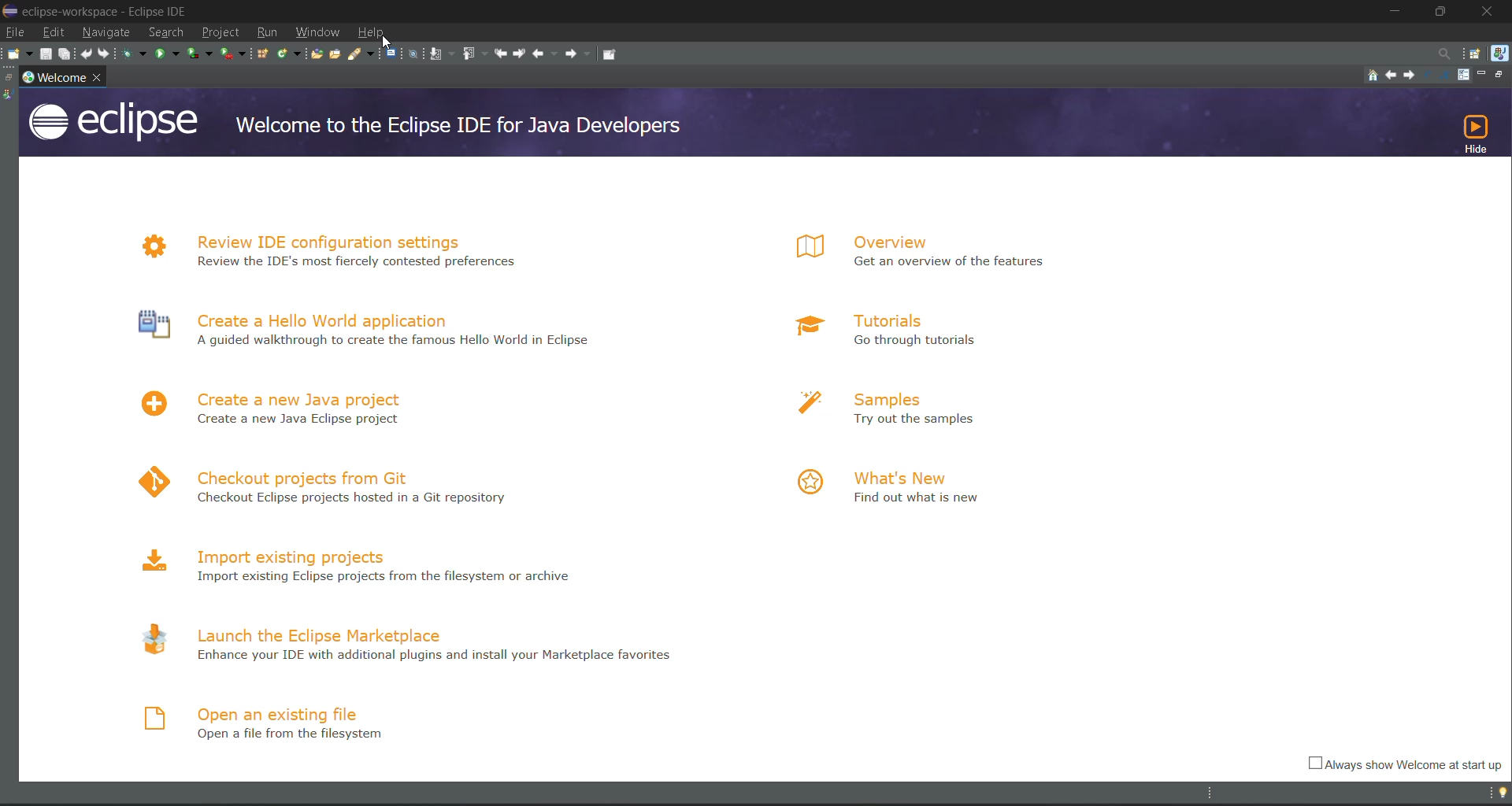 The height and width of the screenshot is (806, 1512). What do you see at coordinates (65, 53) in the screenshot?
I see `save all` at bounding box center [65, 53].